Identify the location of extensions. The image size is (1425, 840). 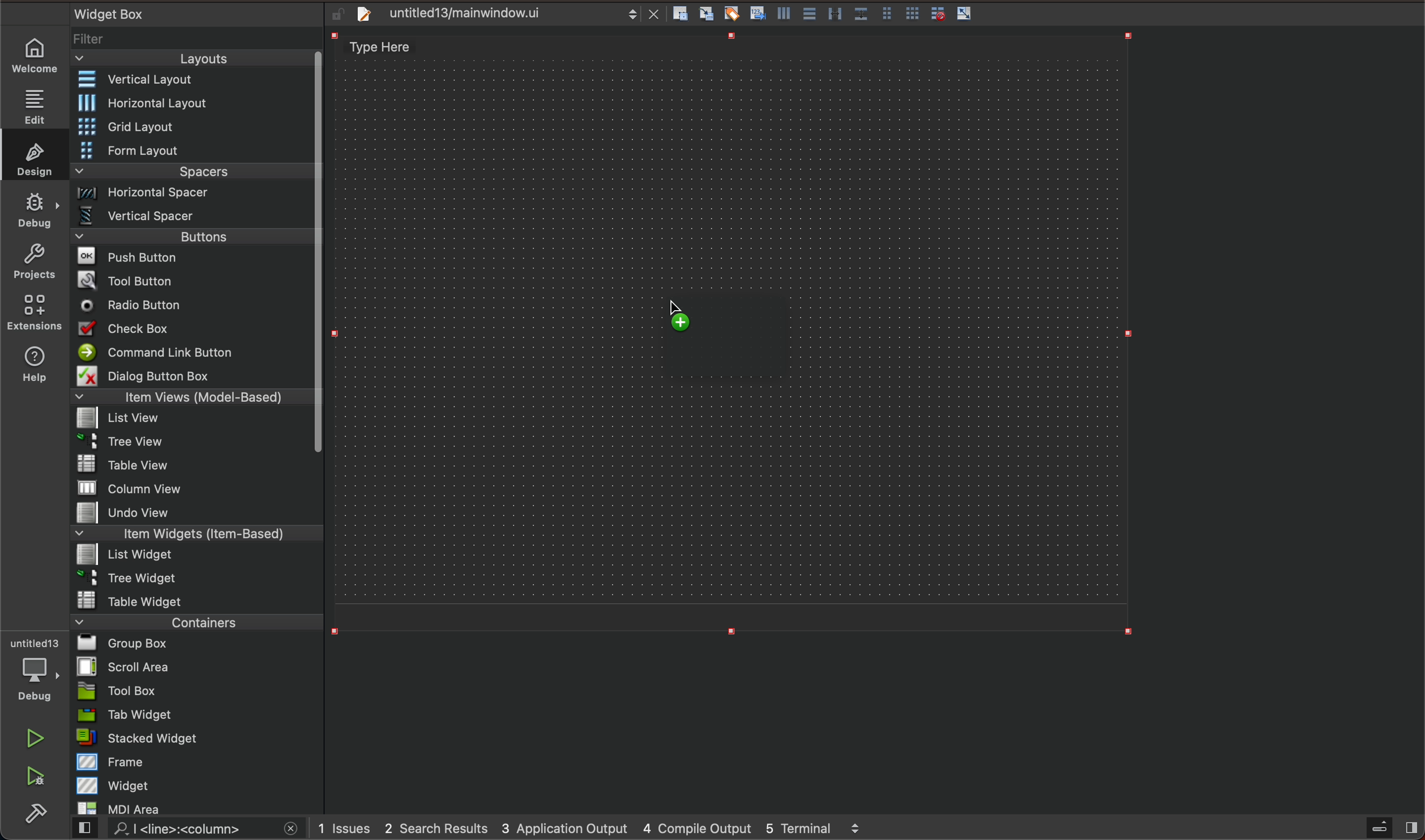
(36, 312).